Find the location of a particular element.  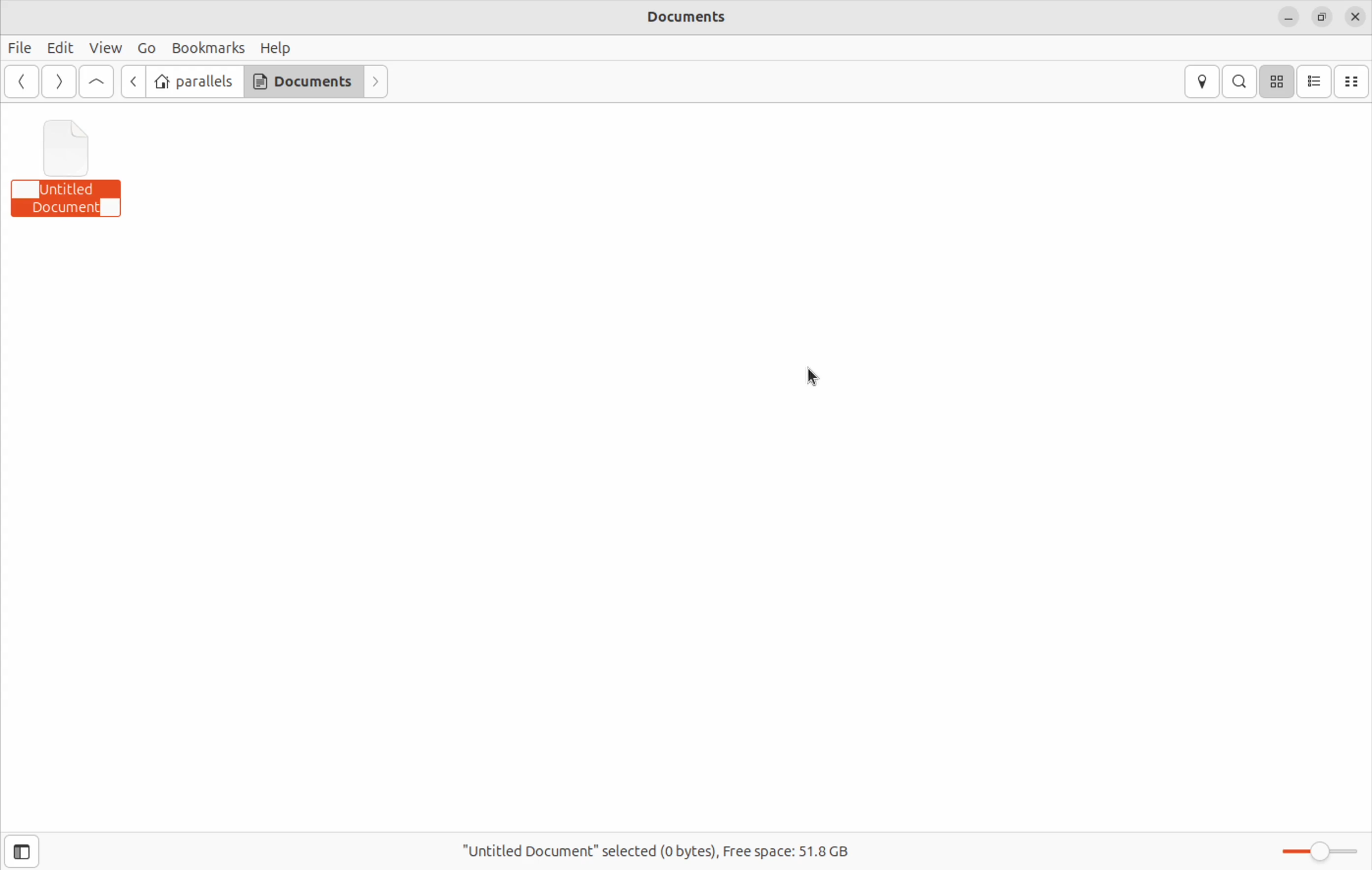

icon view is located at coordinates (1276, 81).